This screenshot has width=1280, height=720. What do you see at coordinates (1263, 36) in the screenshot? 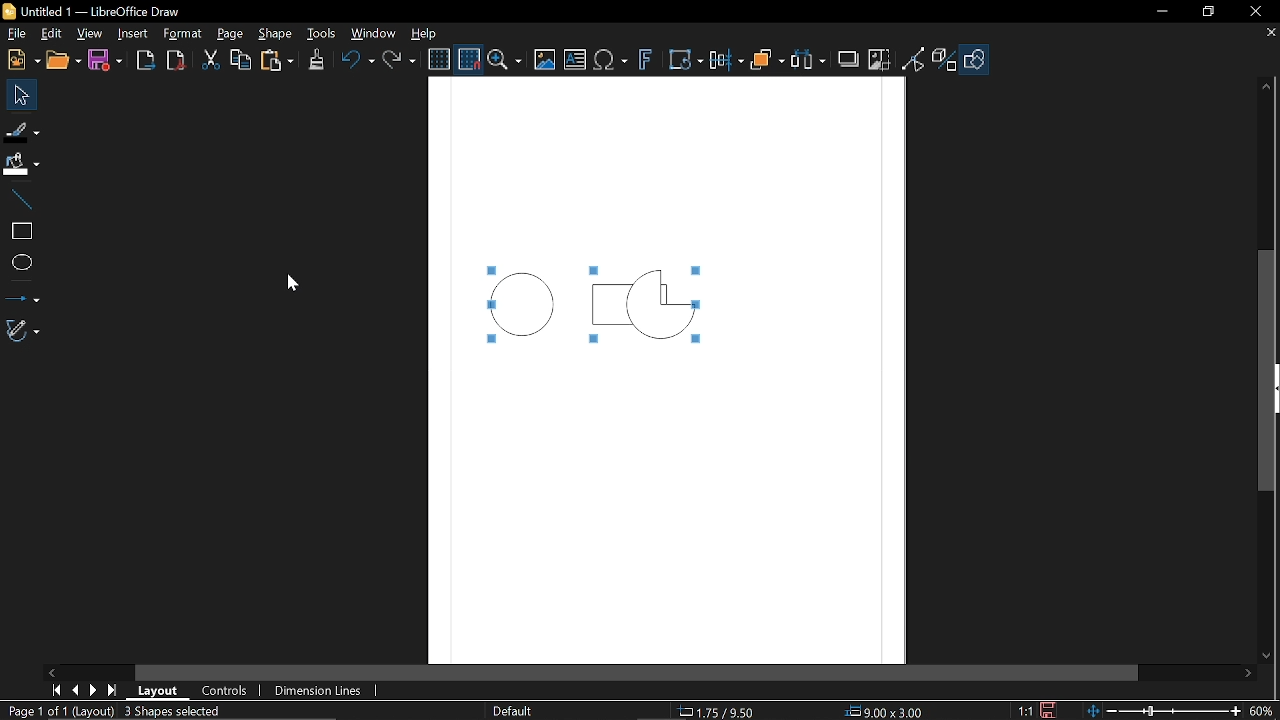
I see `CLOSE` at bounding box center [1263, 36].